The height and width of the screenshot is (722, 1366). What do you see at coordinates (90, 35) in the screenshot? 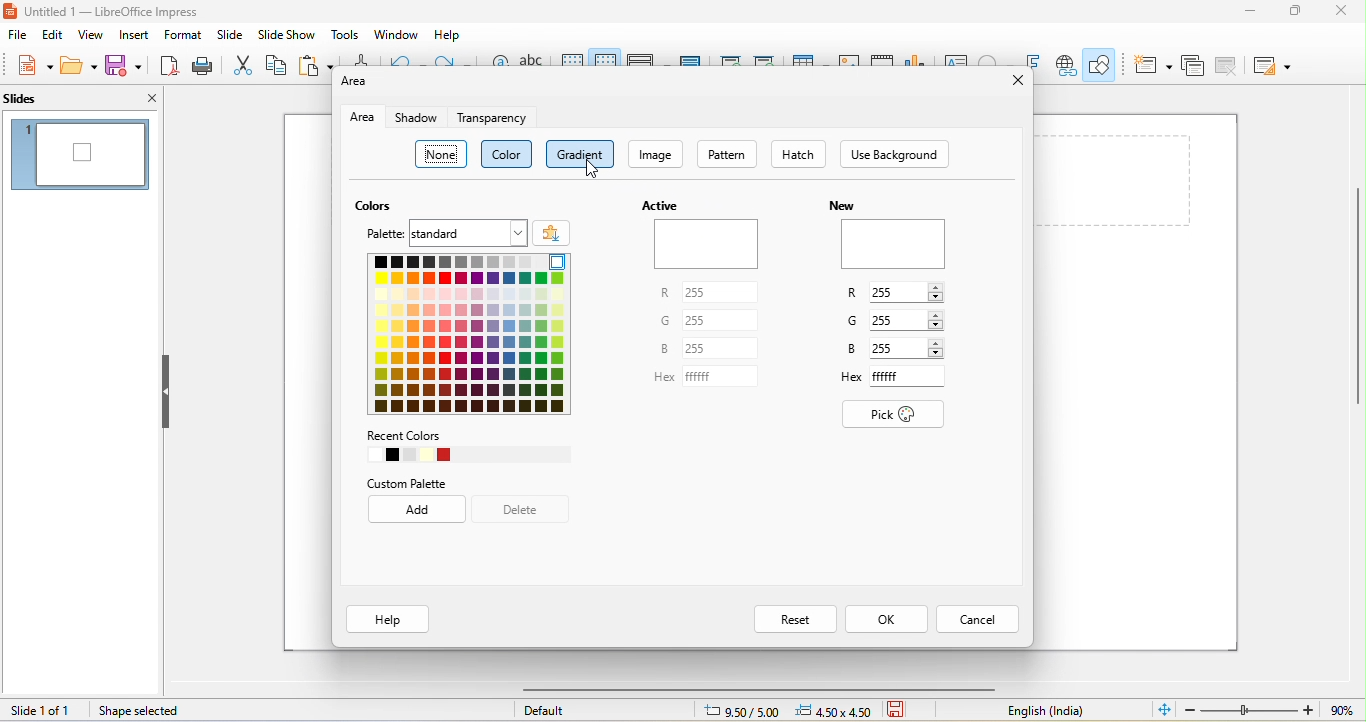
I see `view` at bounding box center [90, 35].